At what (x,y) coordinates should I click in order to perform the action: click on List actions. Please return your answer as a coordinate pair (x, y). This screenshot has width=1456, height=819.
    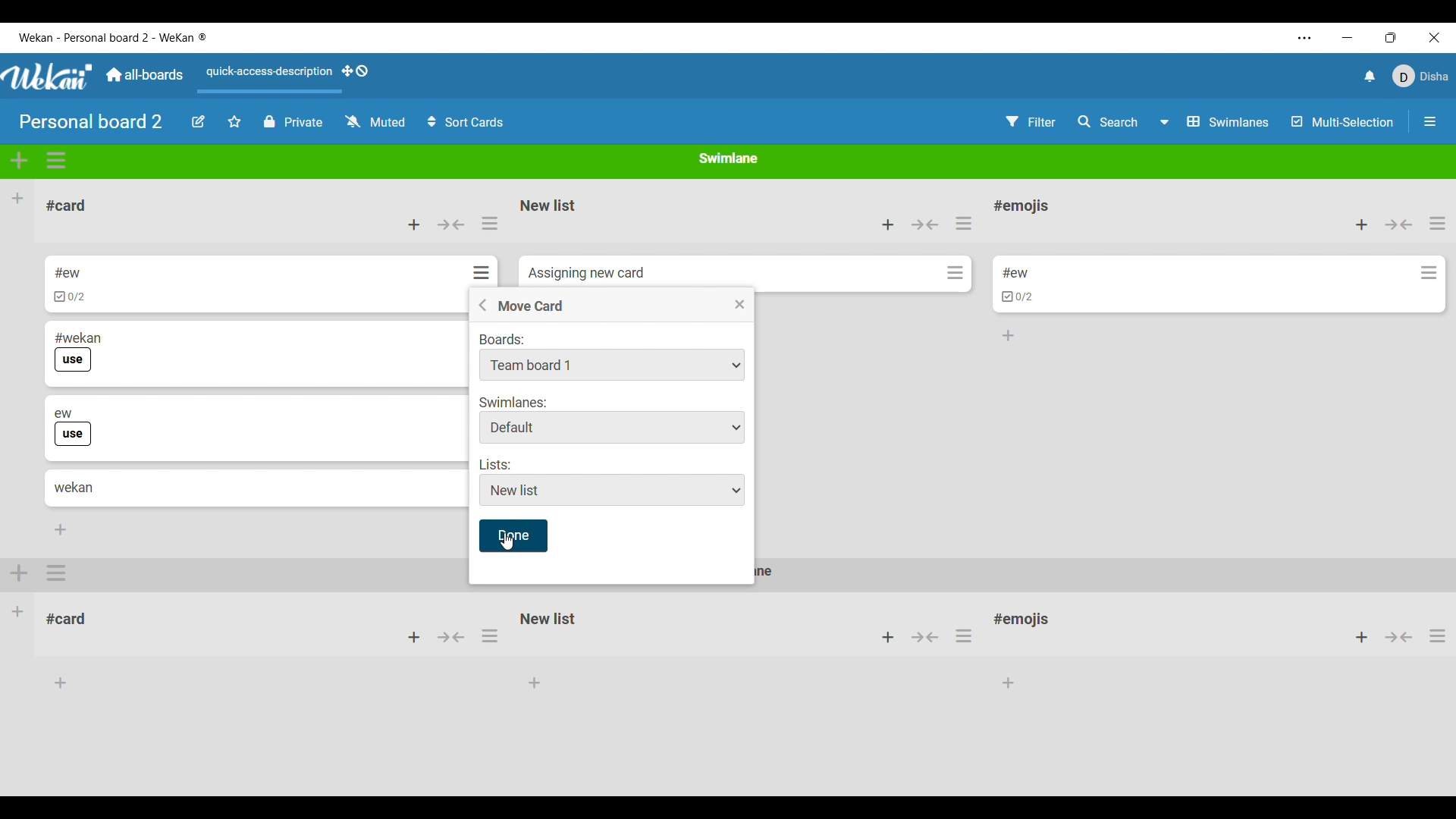
    Looking at the image, I should click on (963, 223).